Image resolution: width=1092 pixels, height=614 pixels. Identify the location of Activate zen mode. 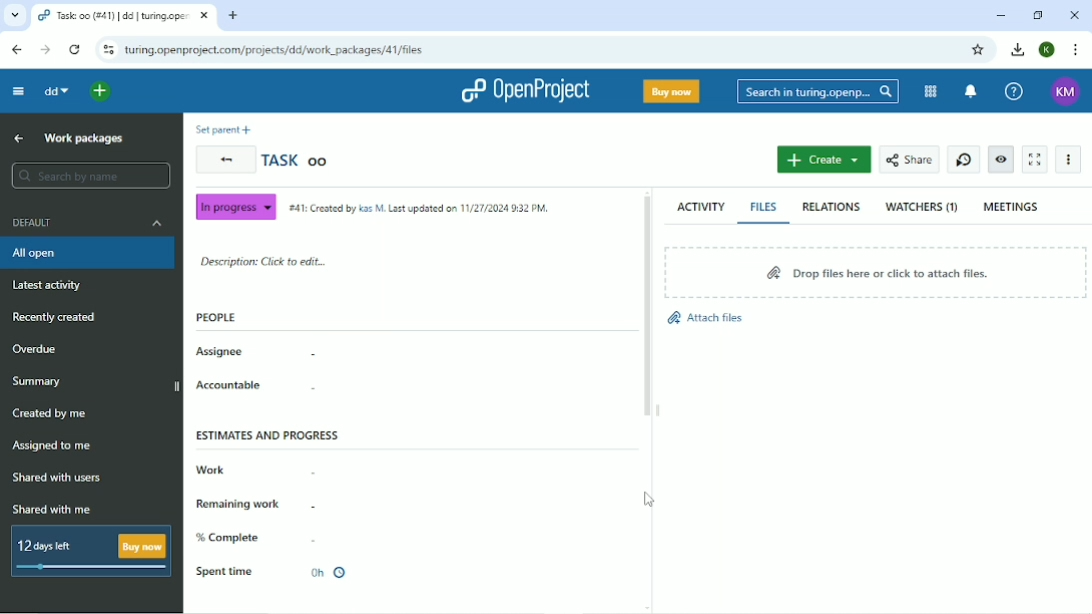
(1034, 160).